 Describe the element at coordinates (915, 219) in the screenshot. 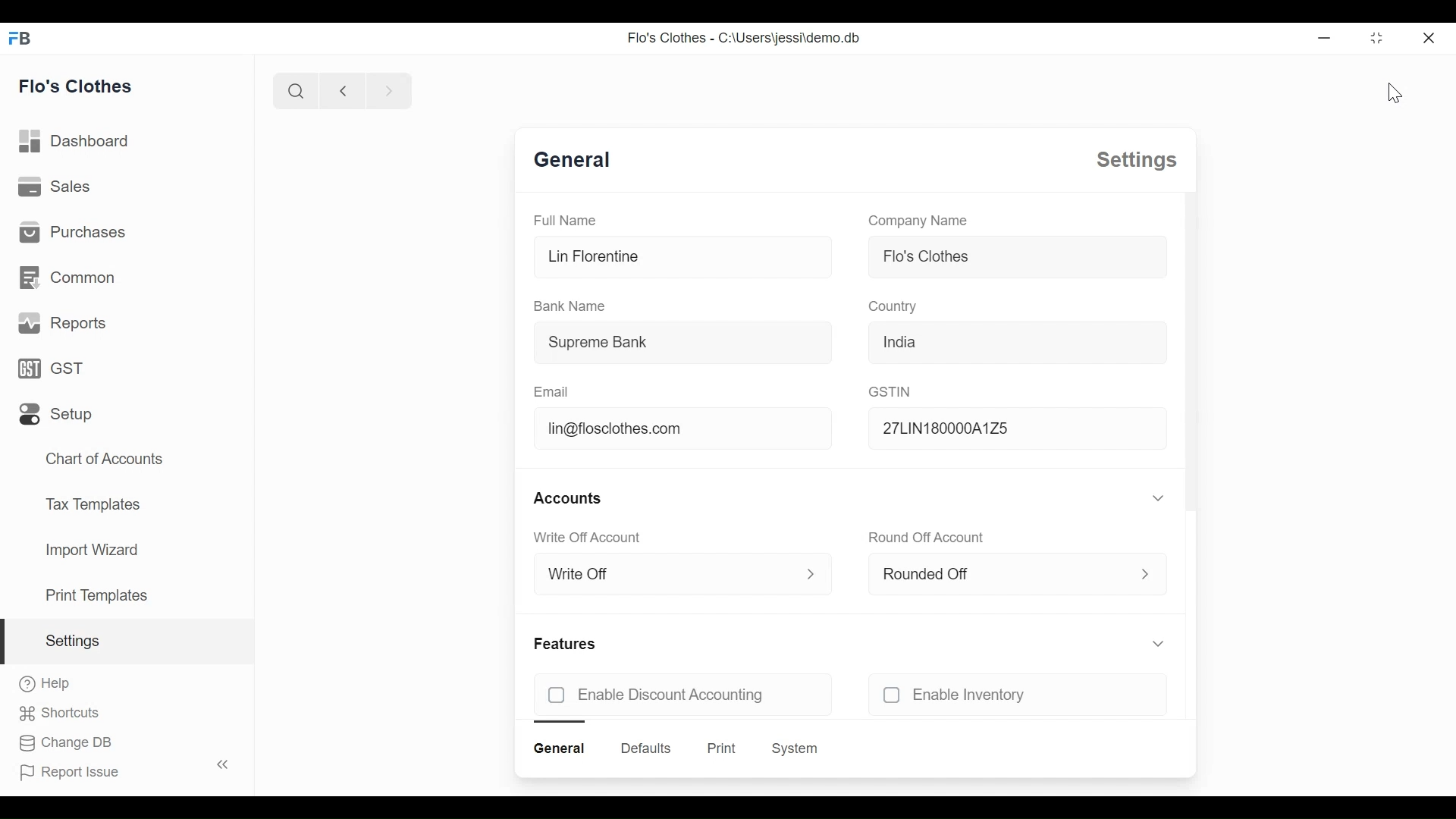

I see `Company Name` at that location.